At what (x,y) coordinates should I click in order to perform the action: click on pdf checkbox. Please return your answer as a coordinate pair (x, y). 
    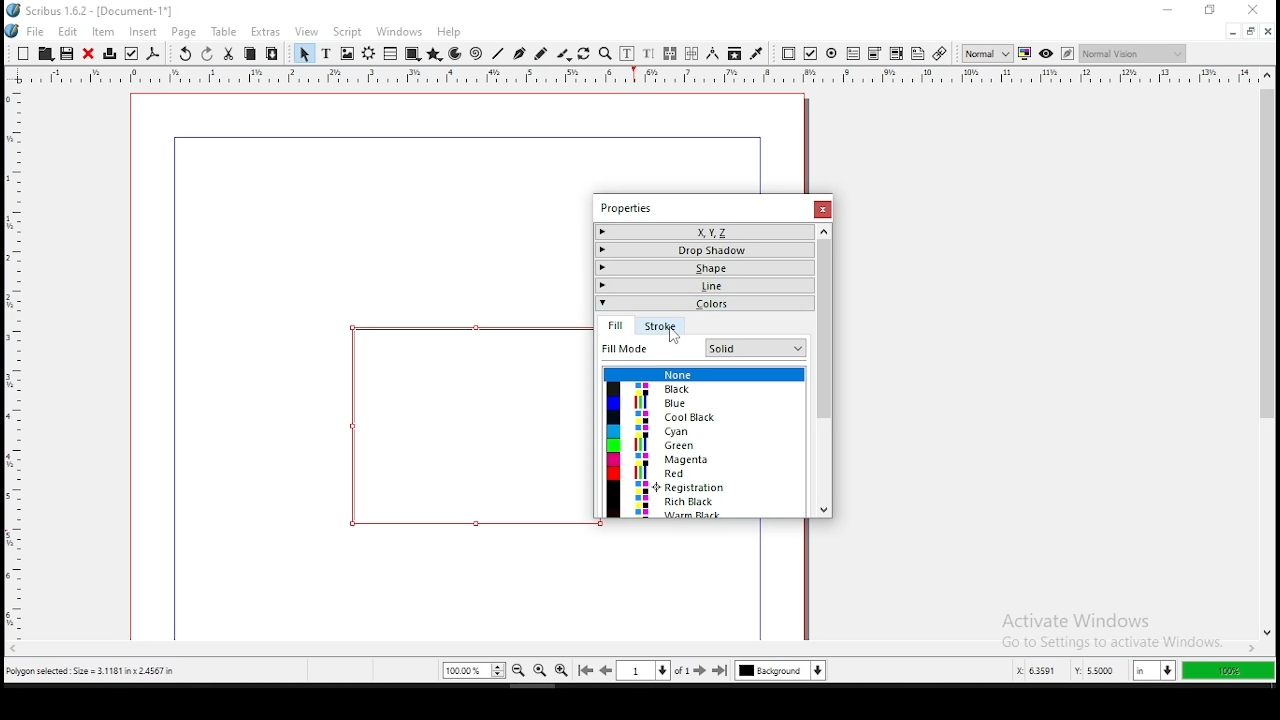
    Looking at the image, I should click on (810, 54).